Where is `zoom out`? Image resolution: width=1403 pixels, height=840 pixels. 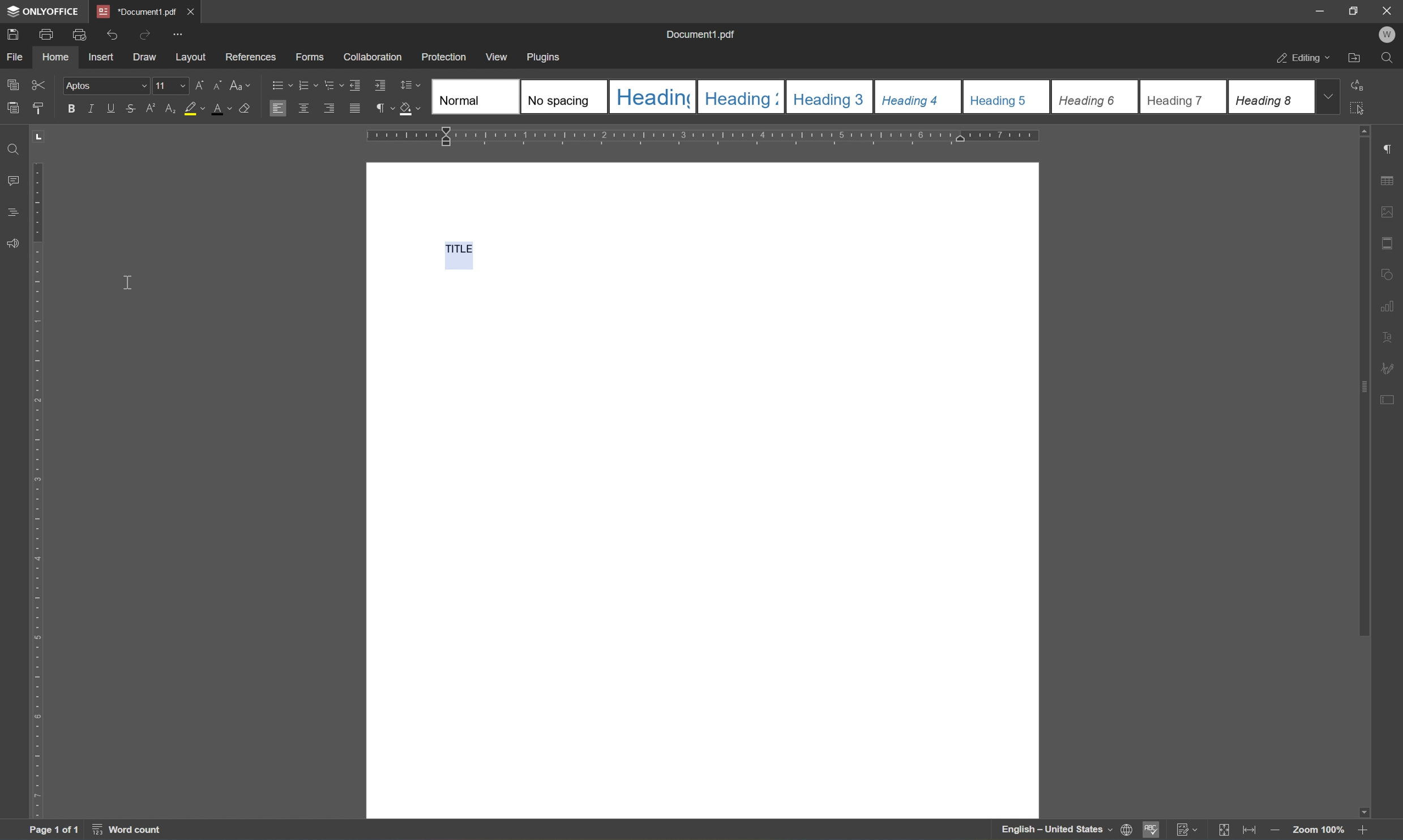 zoom out is located at coordinates (1274, 830).